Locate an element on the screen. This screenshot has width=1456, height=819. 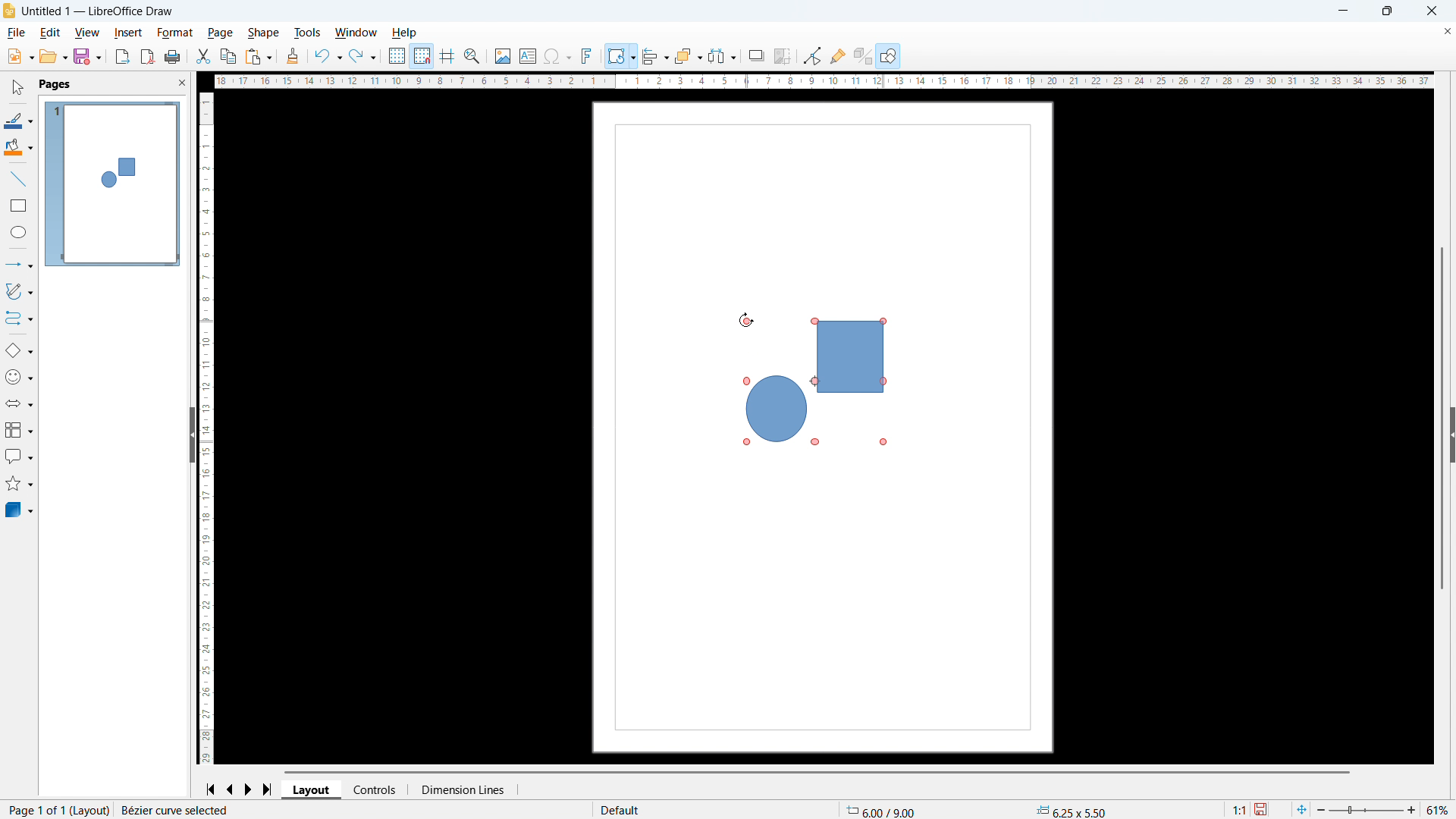
line  is located at coordinates (18, 178).